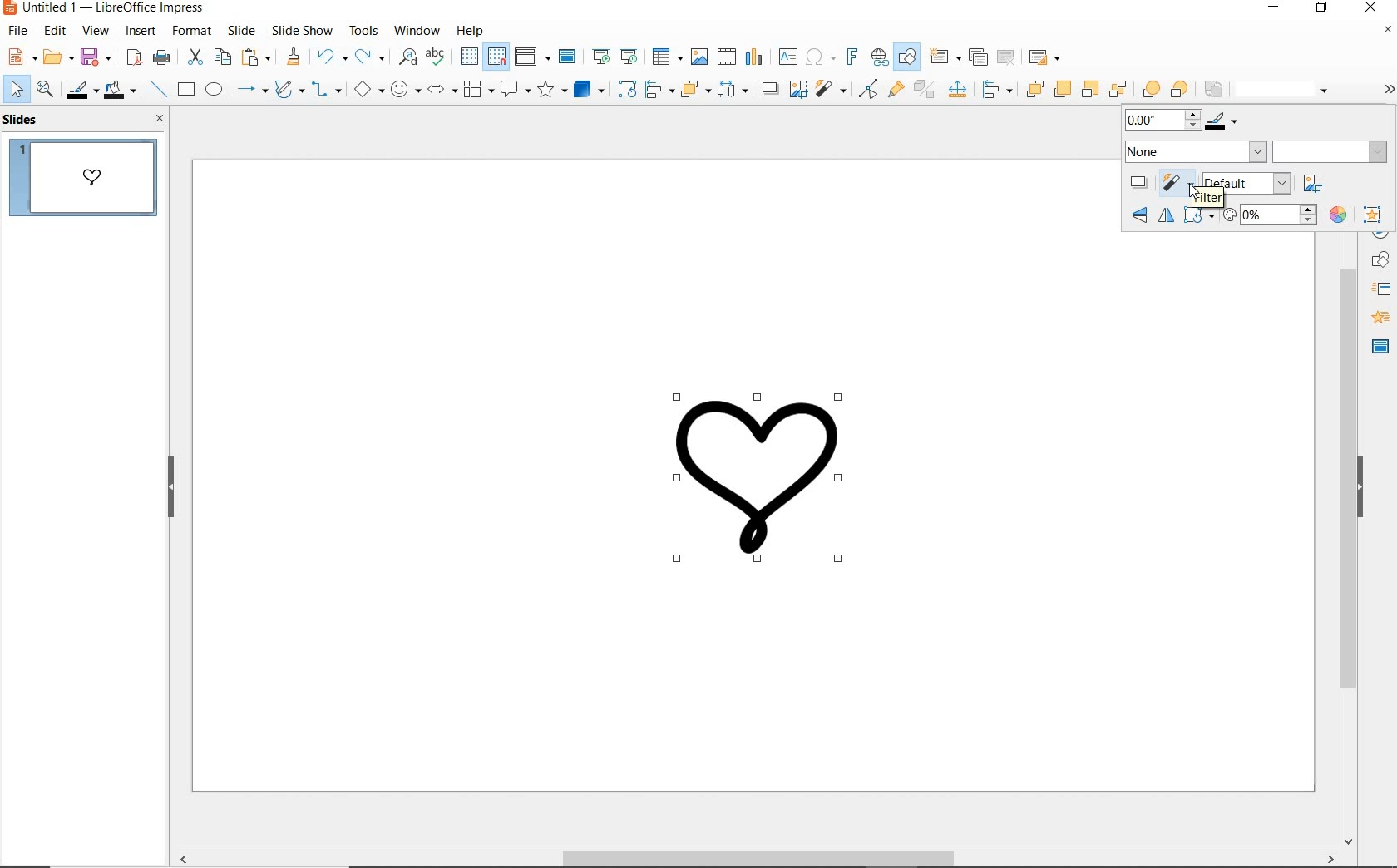 The height and width of the screenshot is (868, 1397). I want to click on line style, so click(1286, 91).